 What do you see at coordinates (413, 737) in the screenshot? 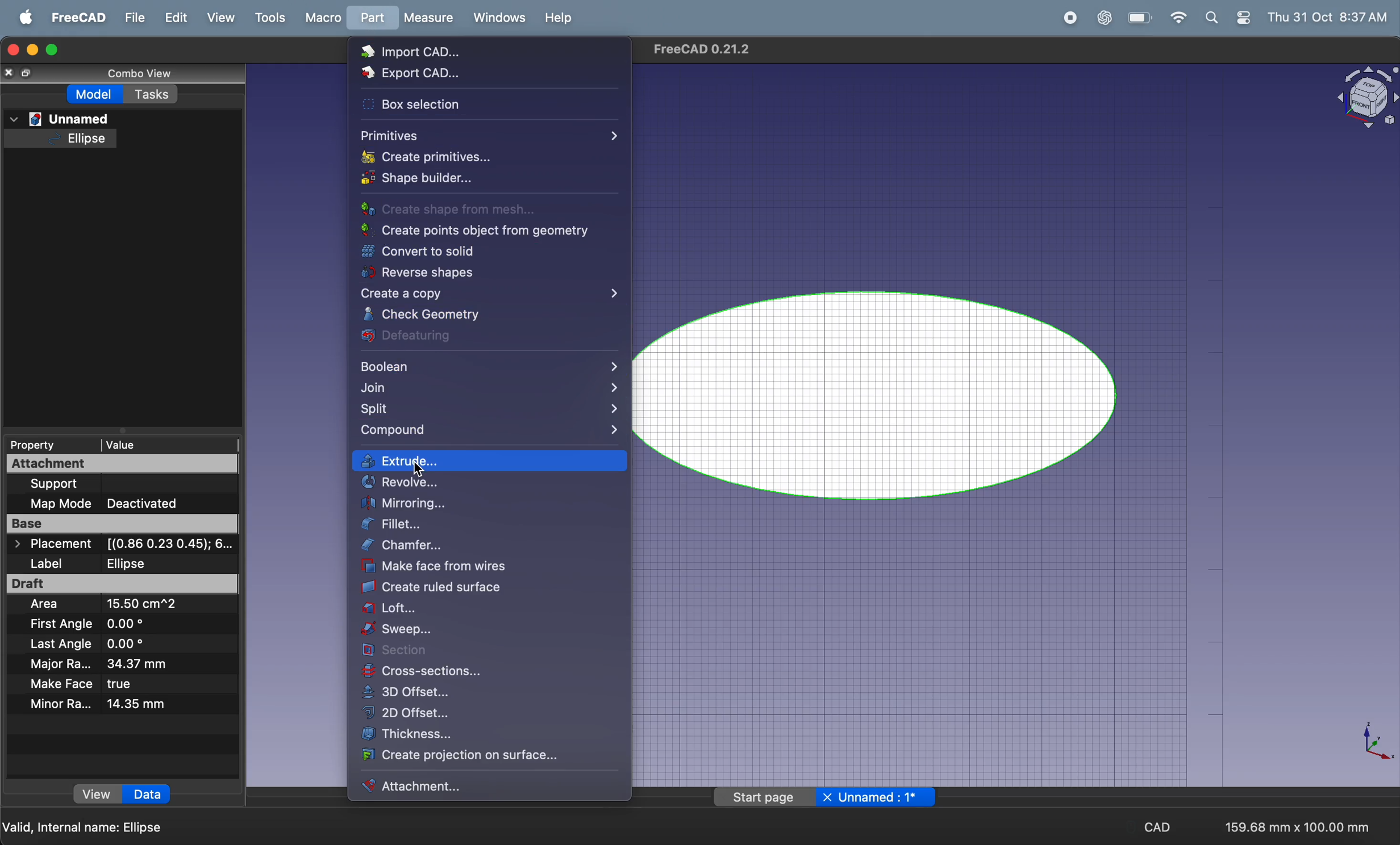
I see `thickness` at bounding box center [413, 737].